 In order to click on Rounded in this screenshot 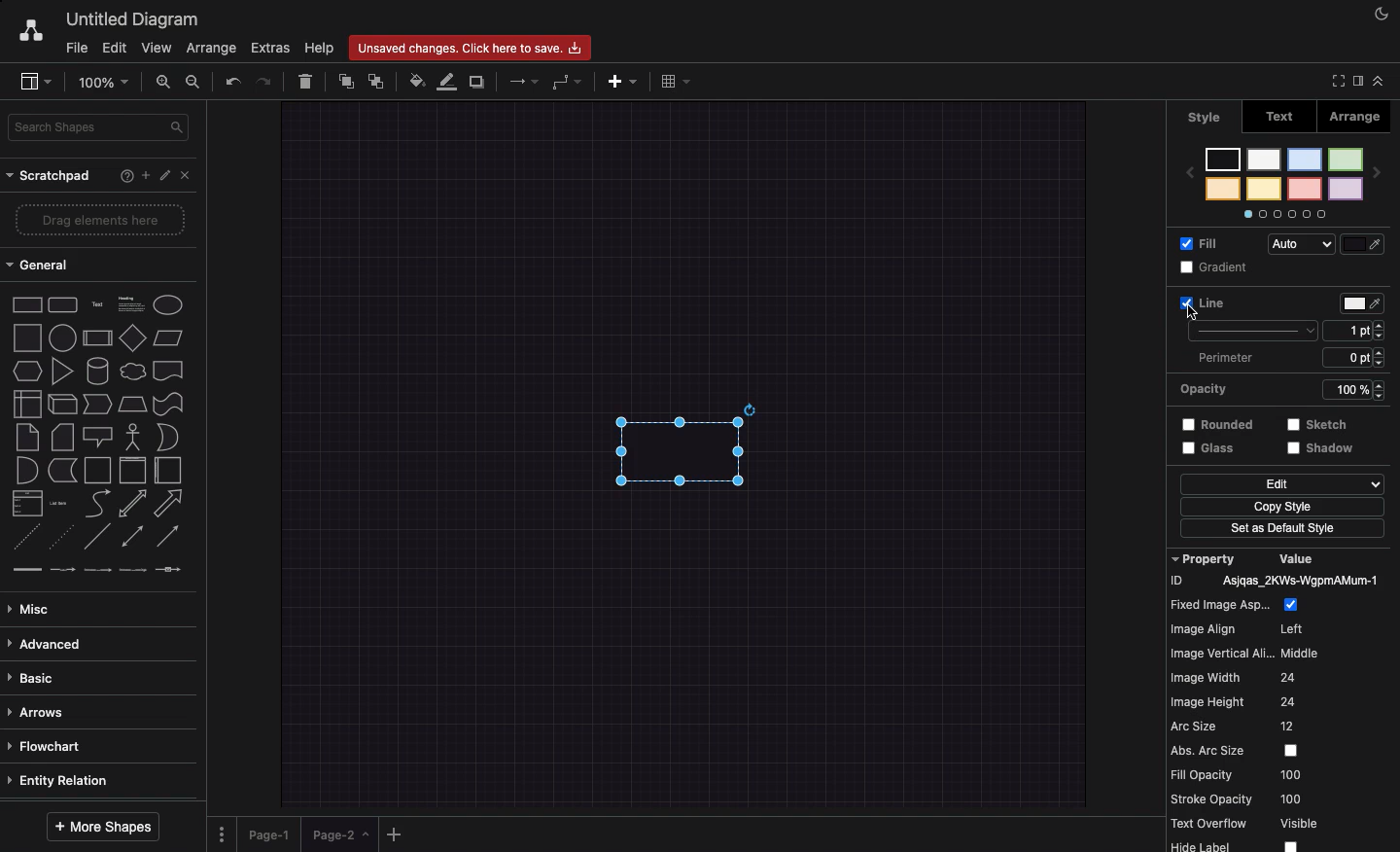, I will do `click(1218, 422)`.